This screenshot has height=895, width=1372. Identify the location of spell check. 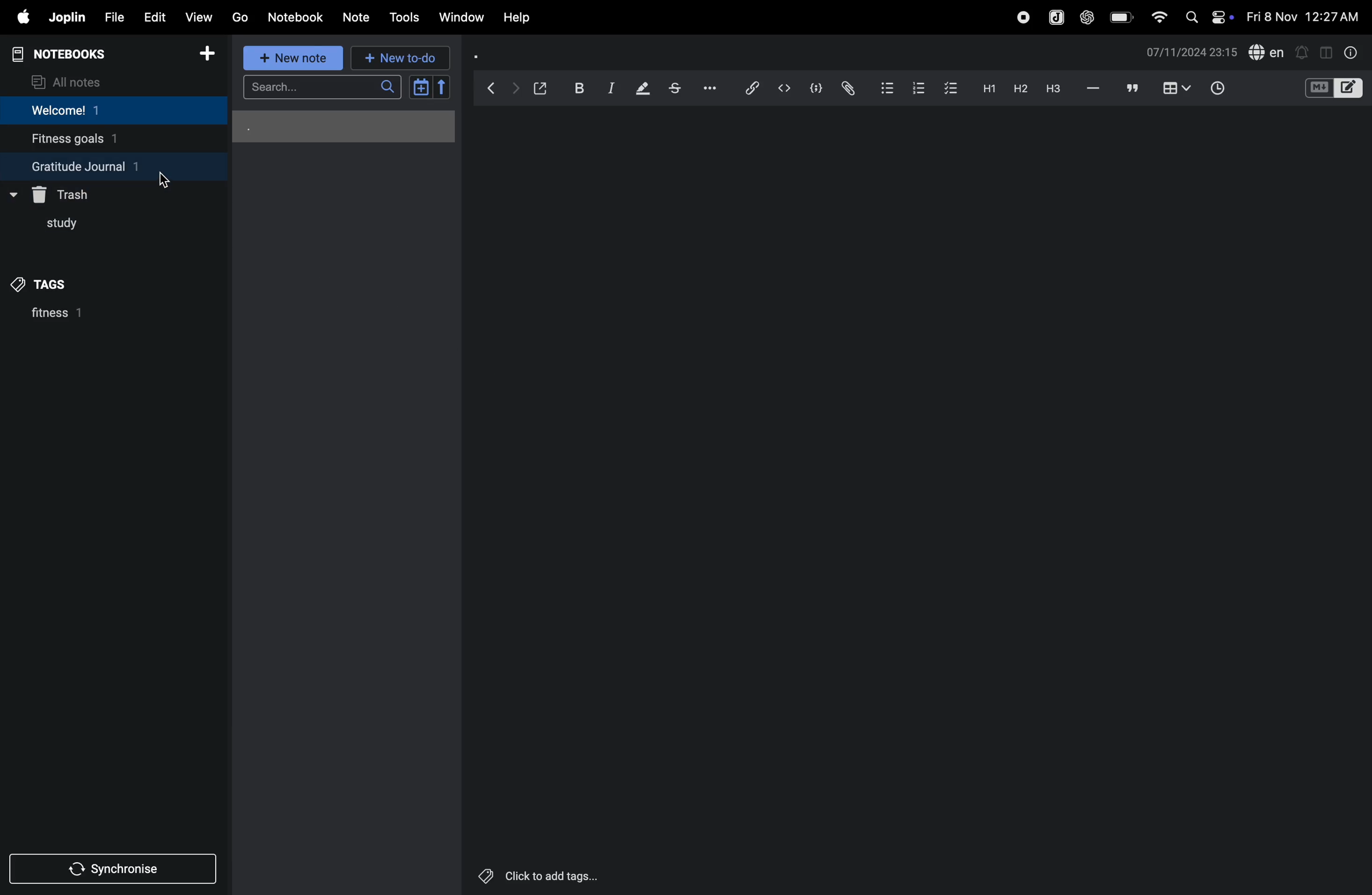
(1268, 51).